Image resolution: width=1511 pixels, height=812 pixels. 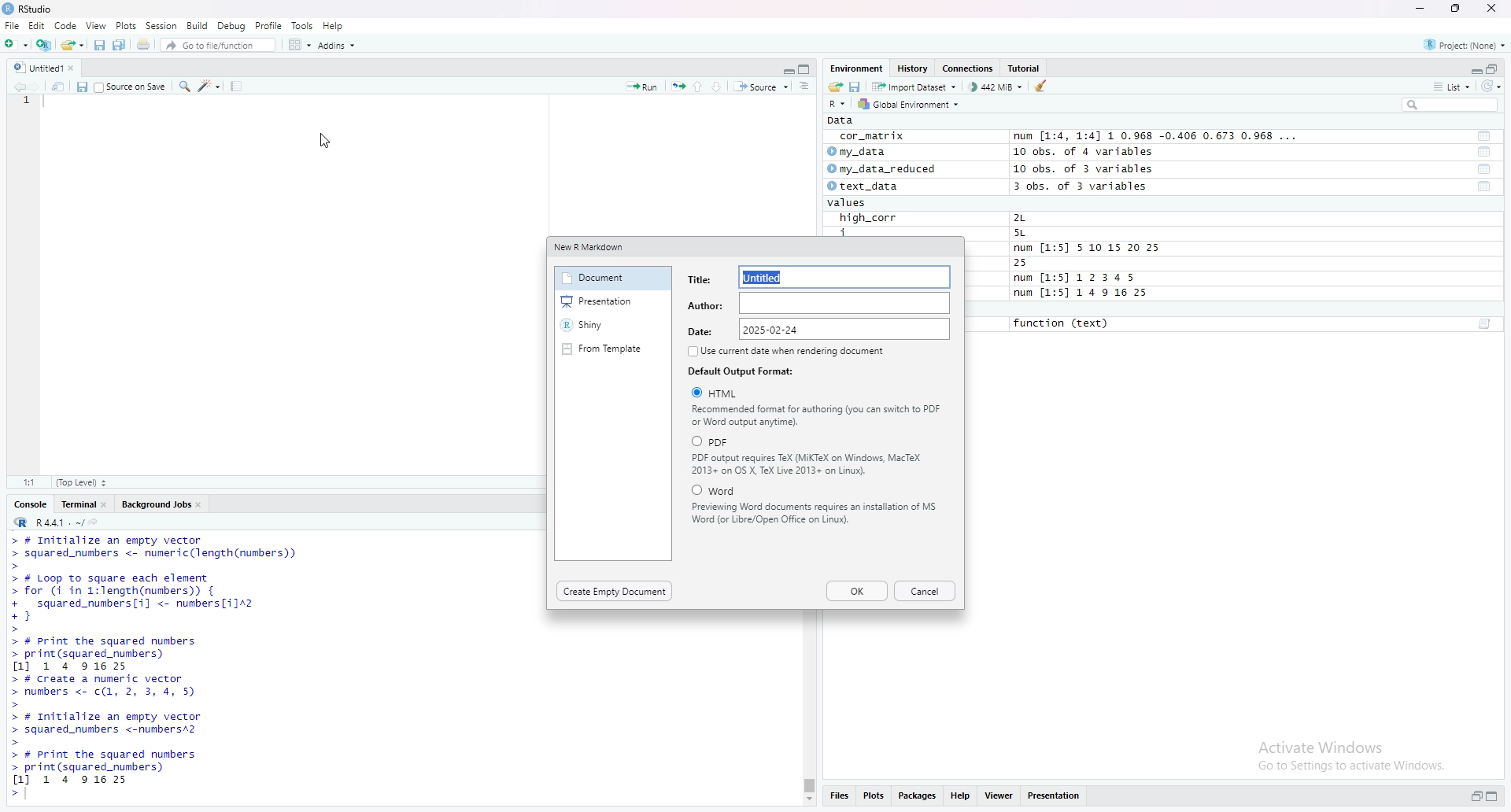 What do you see at coordinates (699, 279) in the screenshot?
I see `Title:` at bounding box center [699, 279].